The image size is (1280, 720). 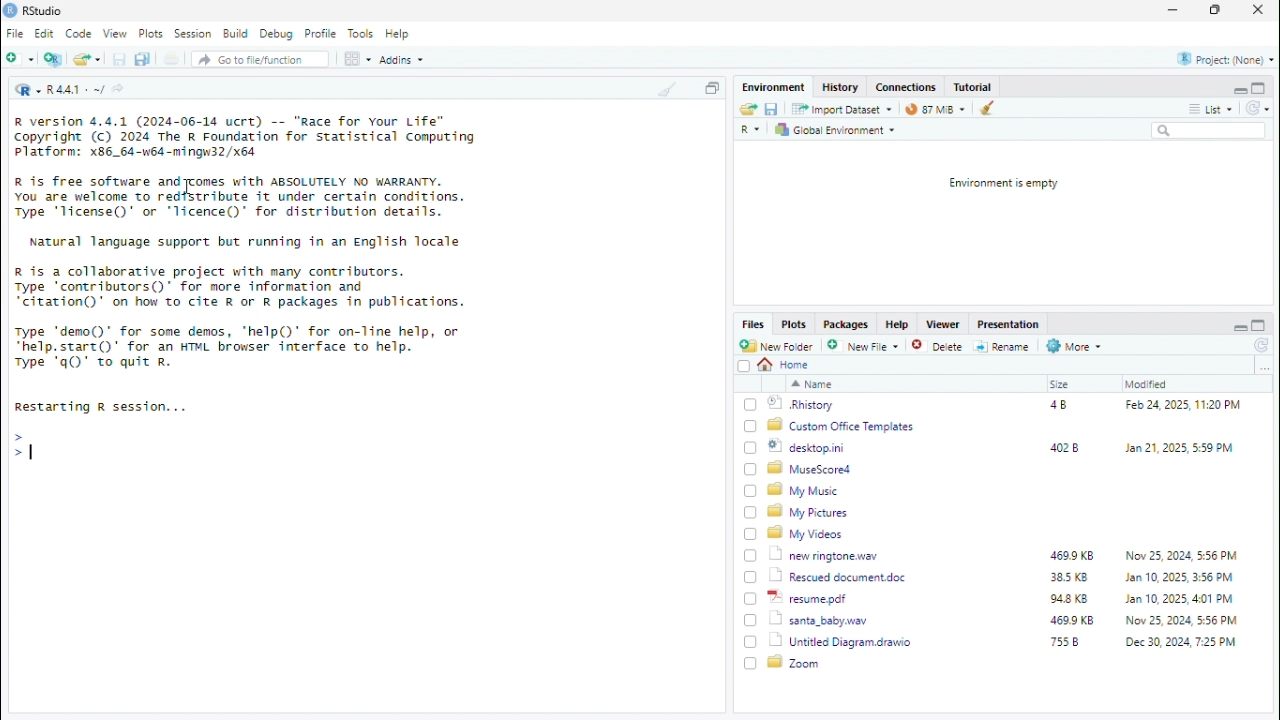 I want to click on R, so click(x=27, y=89).